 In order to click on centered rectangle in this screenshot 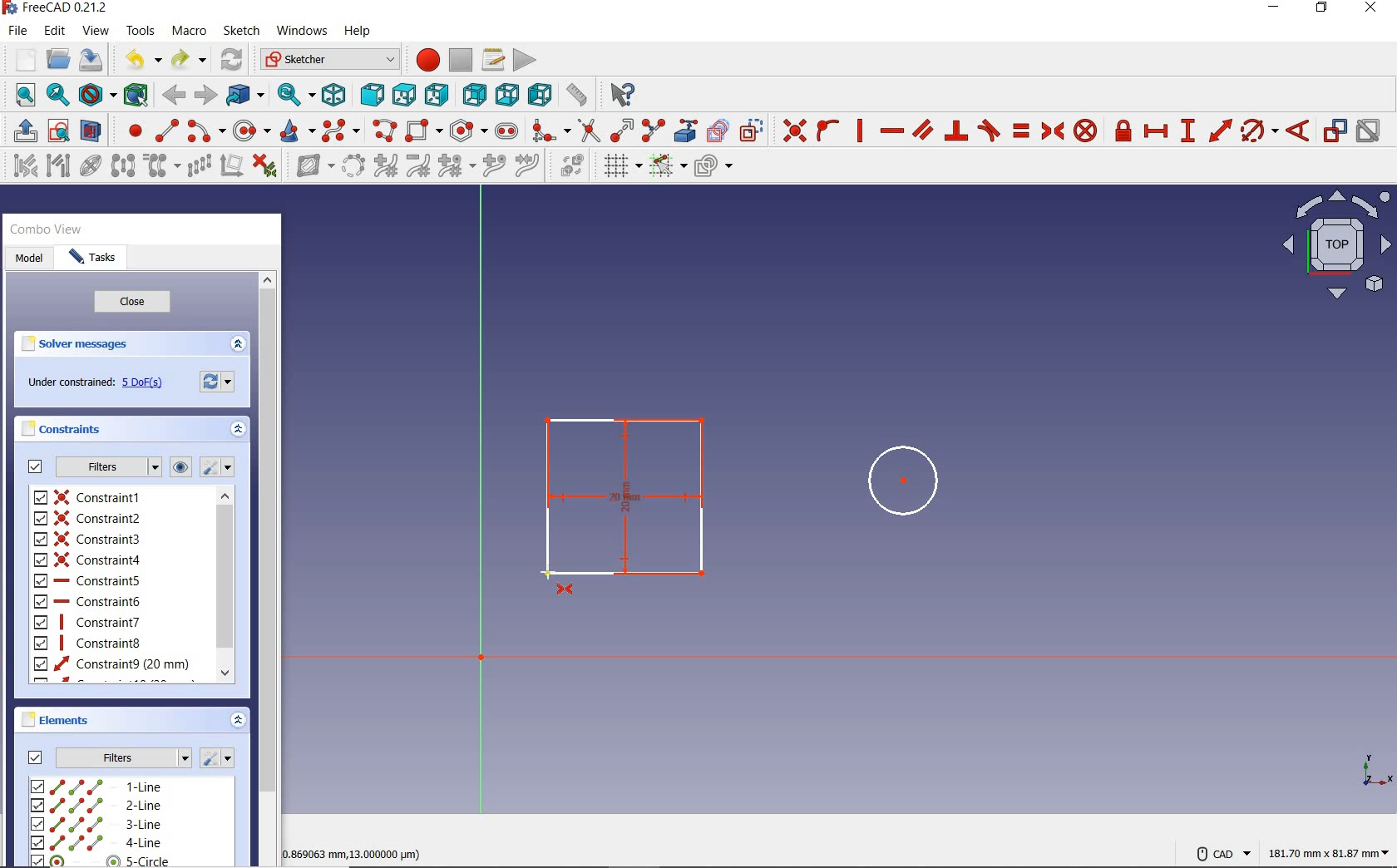, I will do `click(425, 131)`.